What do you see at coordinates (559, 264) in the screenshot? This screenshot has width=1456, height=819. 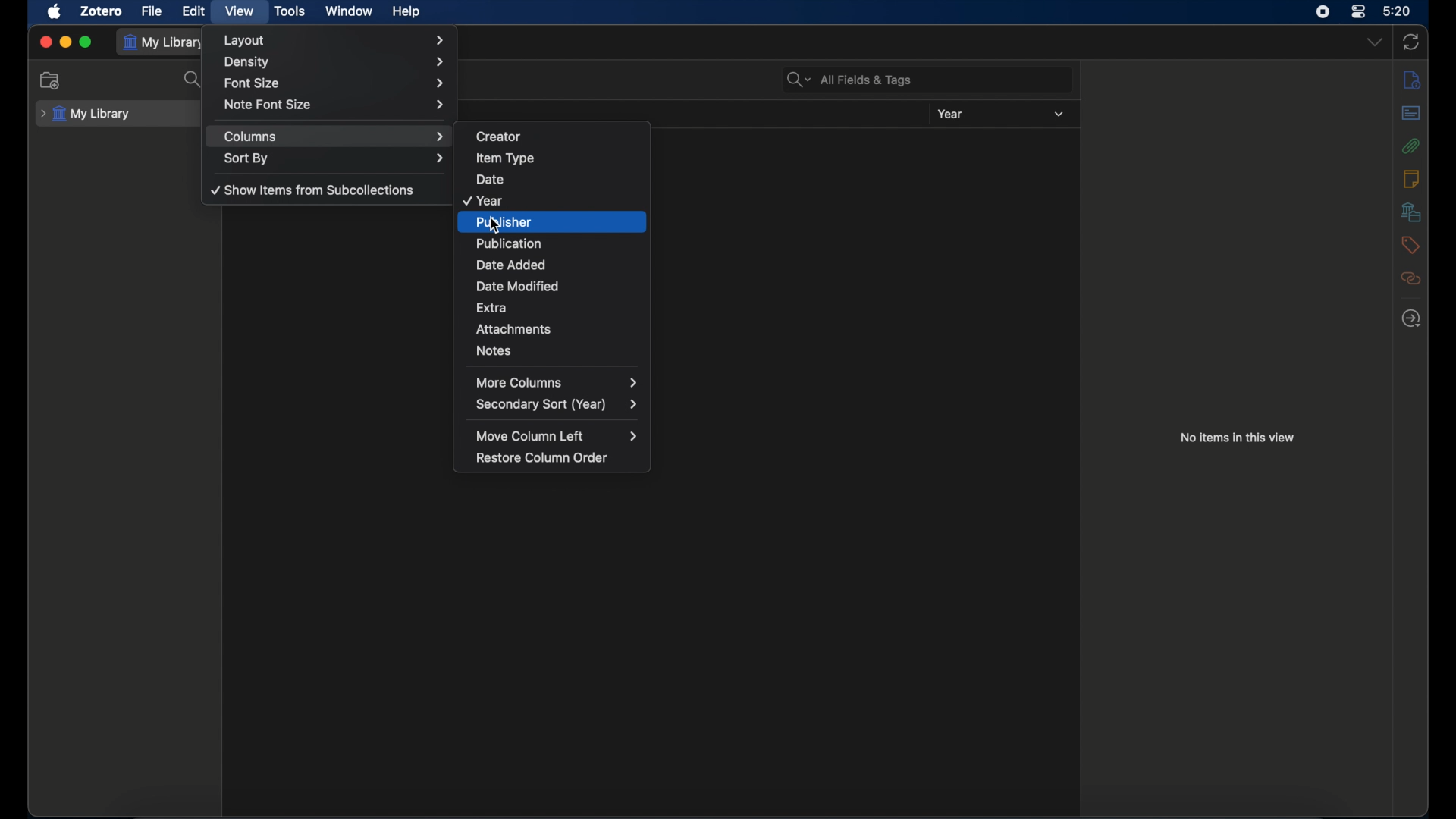 I see `date added` at bounding box center [559, 264].